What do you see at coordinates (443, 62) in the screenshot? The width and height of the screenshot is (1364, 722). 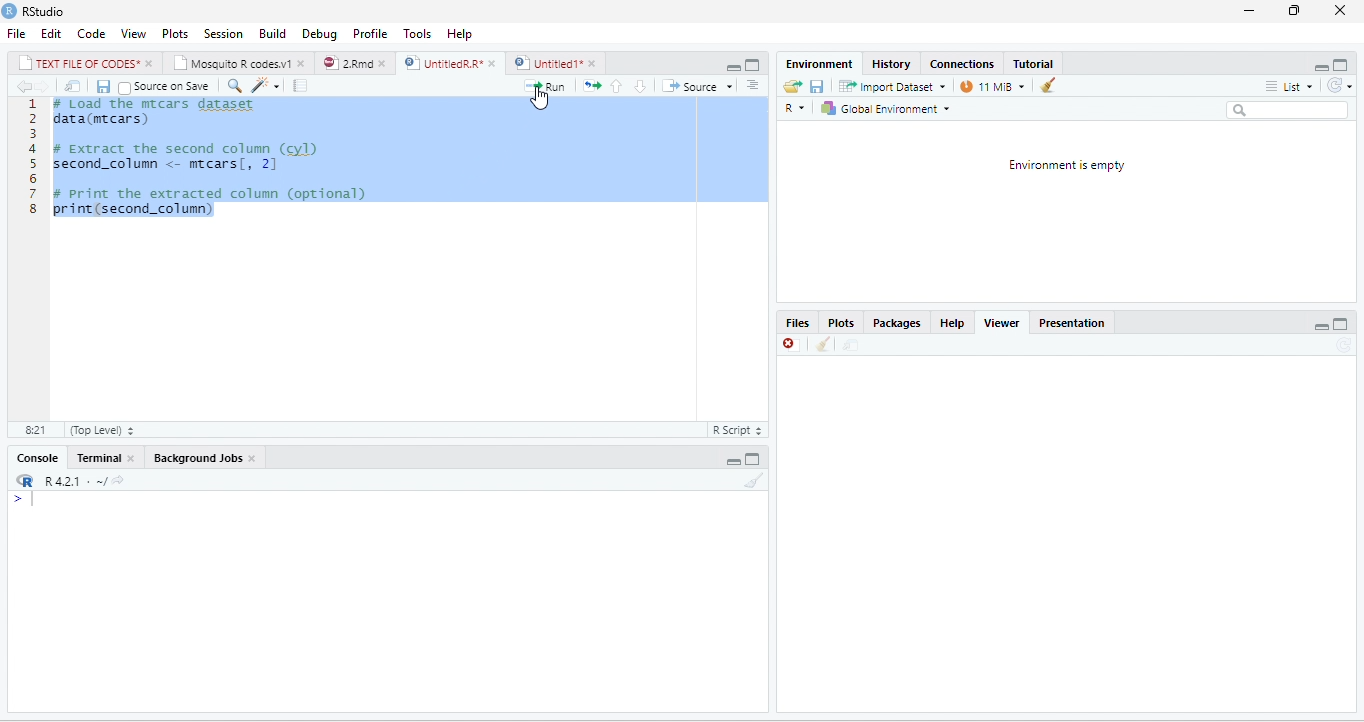 I see `UnttiedR A` at bounding box center [443, 62].